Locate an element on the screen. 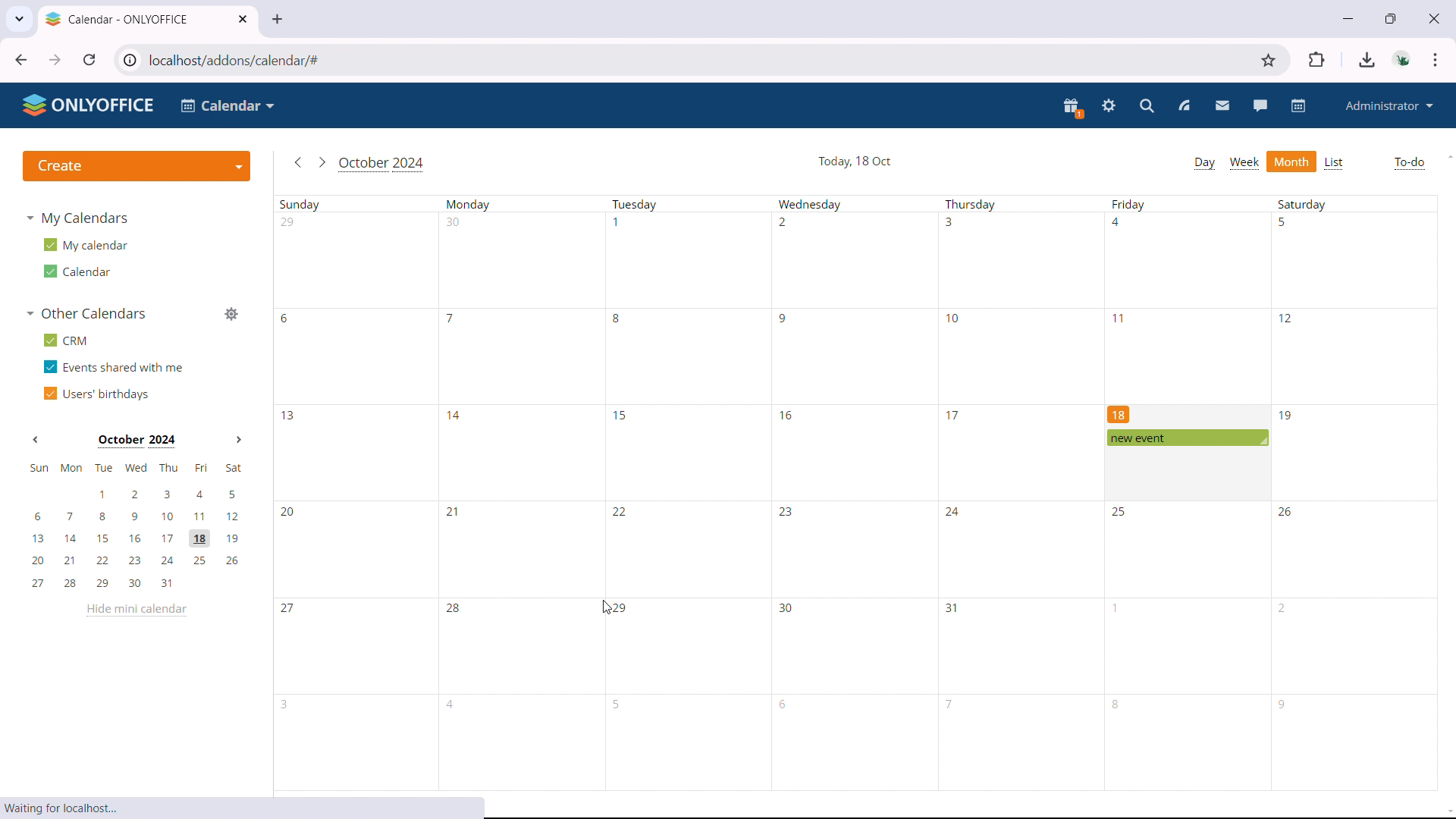  24 is located at coordinates (952, 513).